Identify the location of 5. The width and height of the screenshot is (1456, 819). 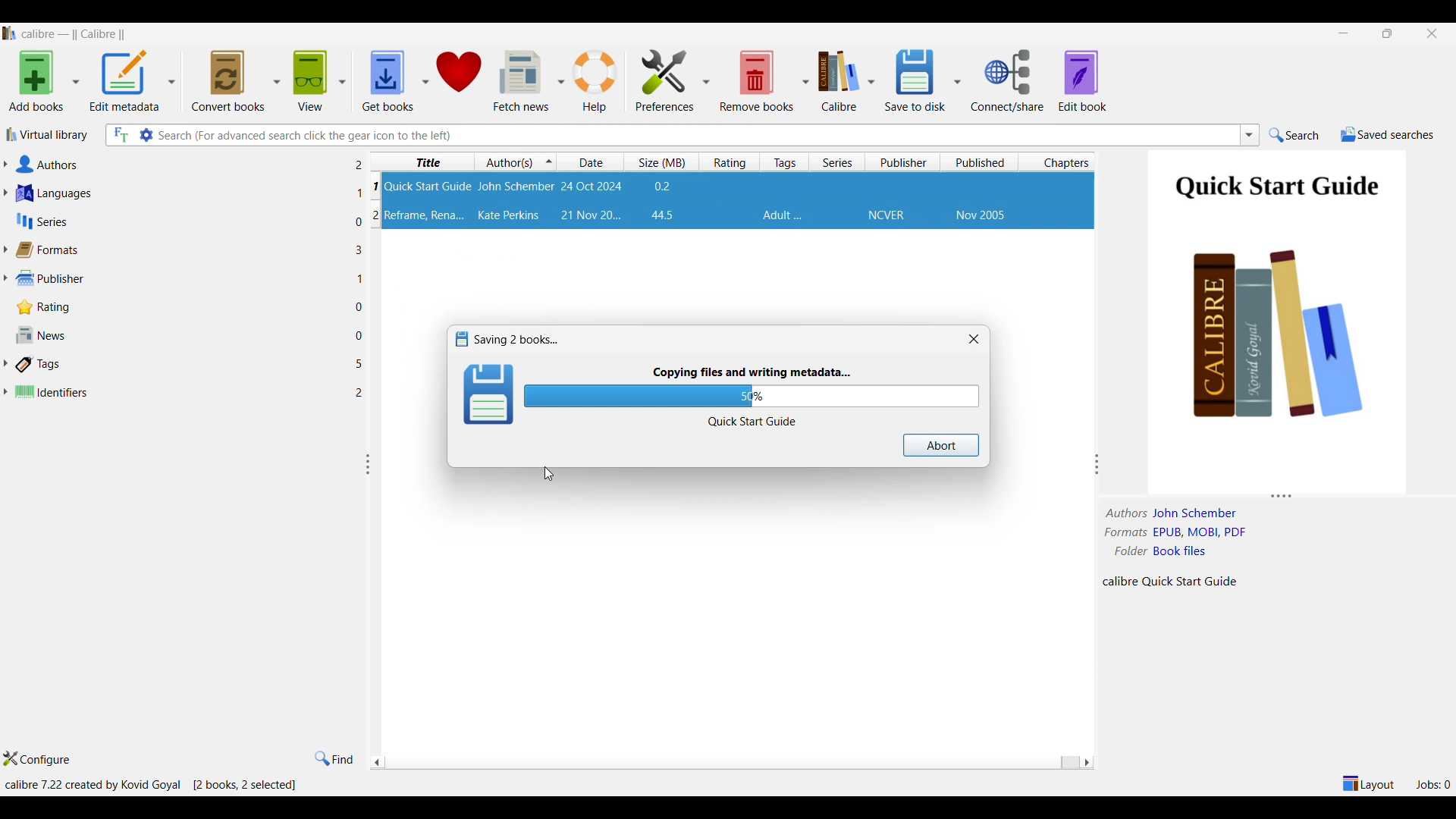
(359, 365).